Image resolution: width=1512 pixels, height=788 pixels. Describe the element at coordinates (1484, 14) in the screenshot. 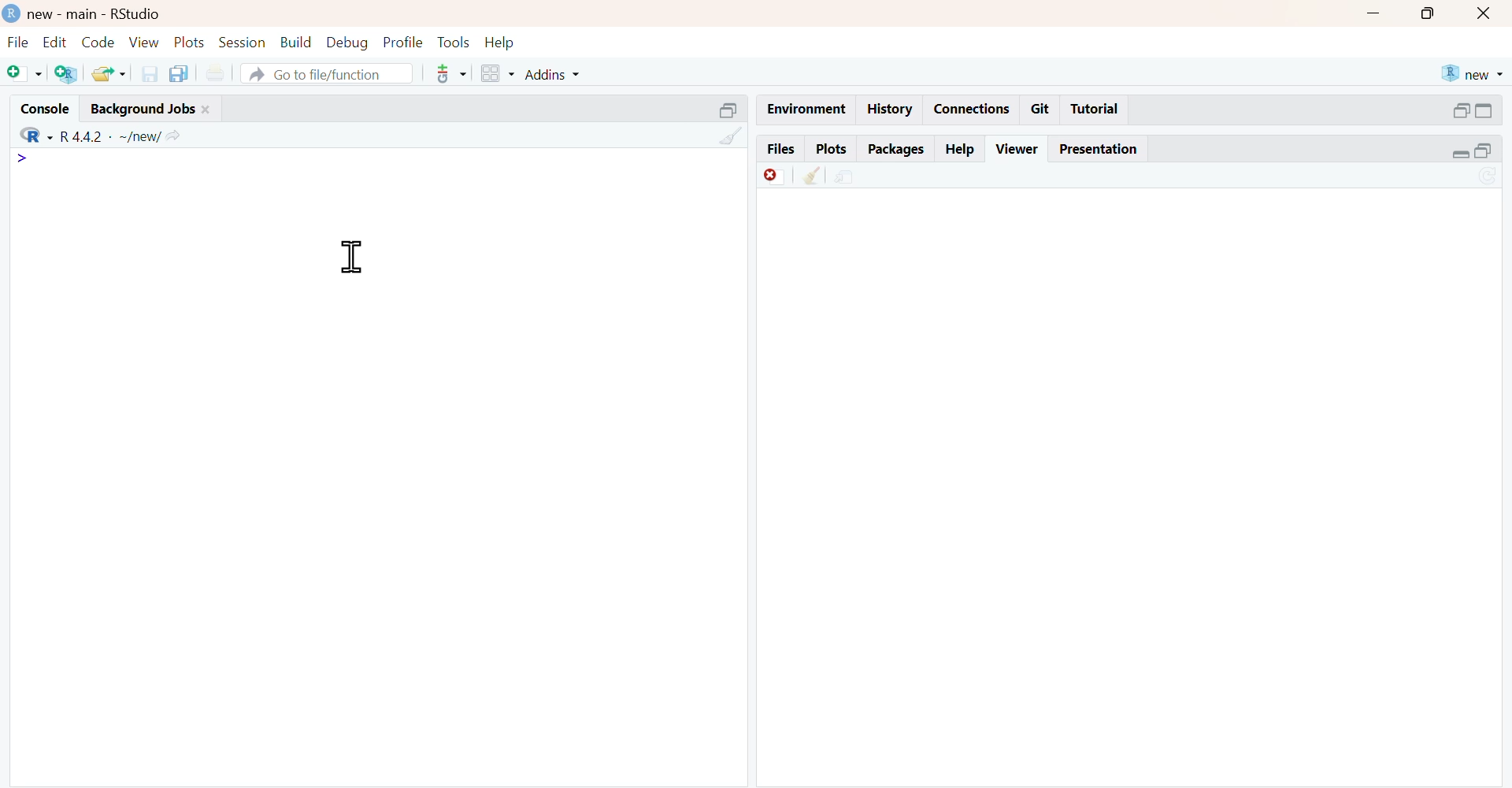

I see `close` at that location.